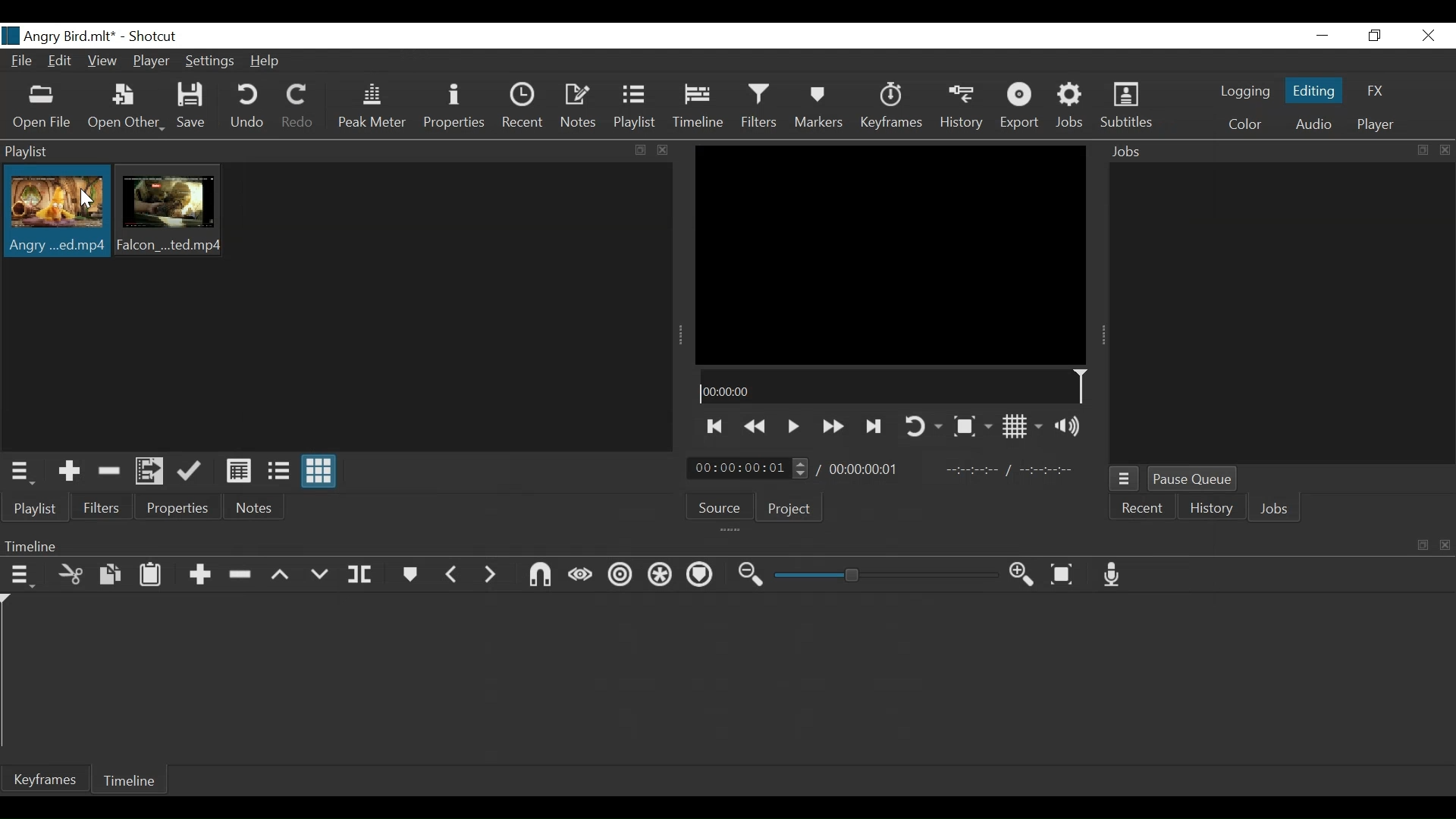 Image resolution: width=1456 pixels, height=819 pixels. What do you see at coordinates (1426, 35) in the screenshot?
I see `Close` at bounding box center [1426, 35].